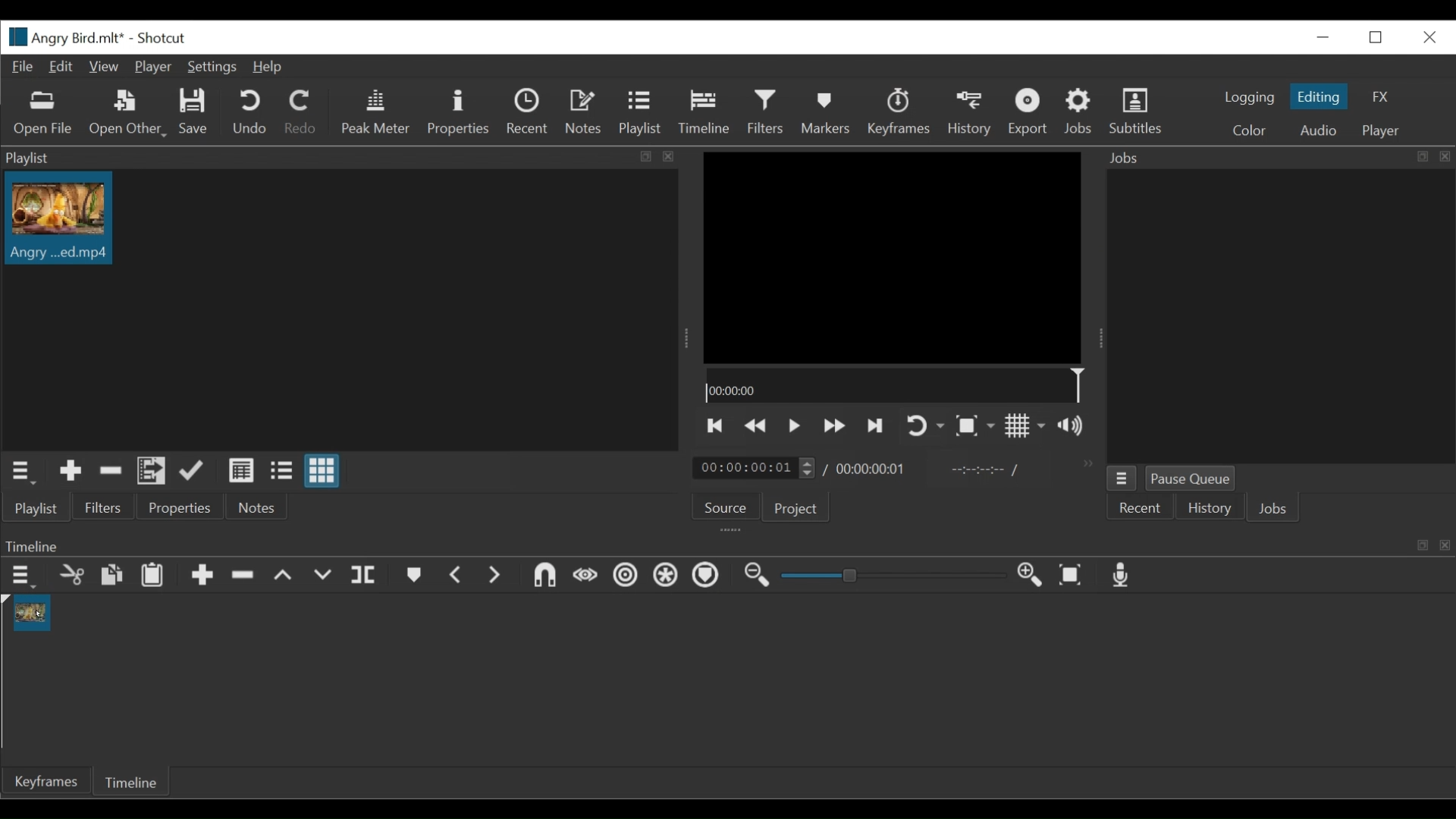  What do you see at coordinates (834, 425) in the screenshot?
I see `Play forward quickly` at bounding box center [834, 425].